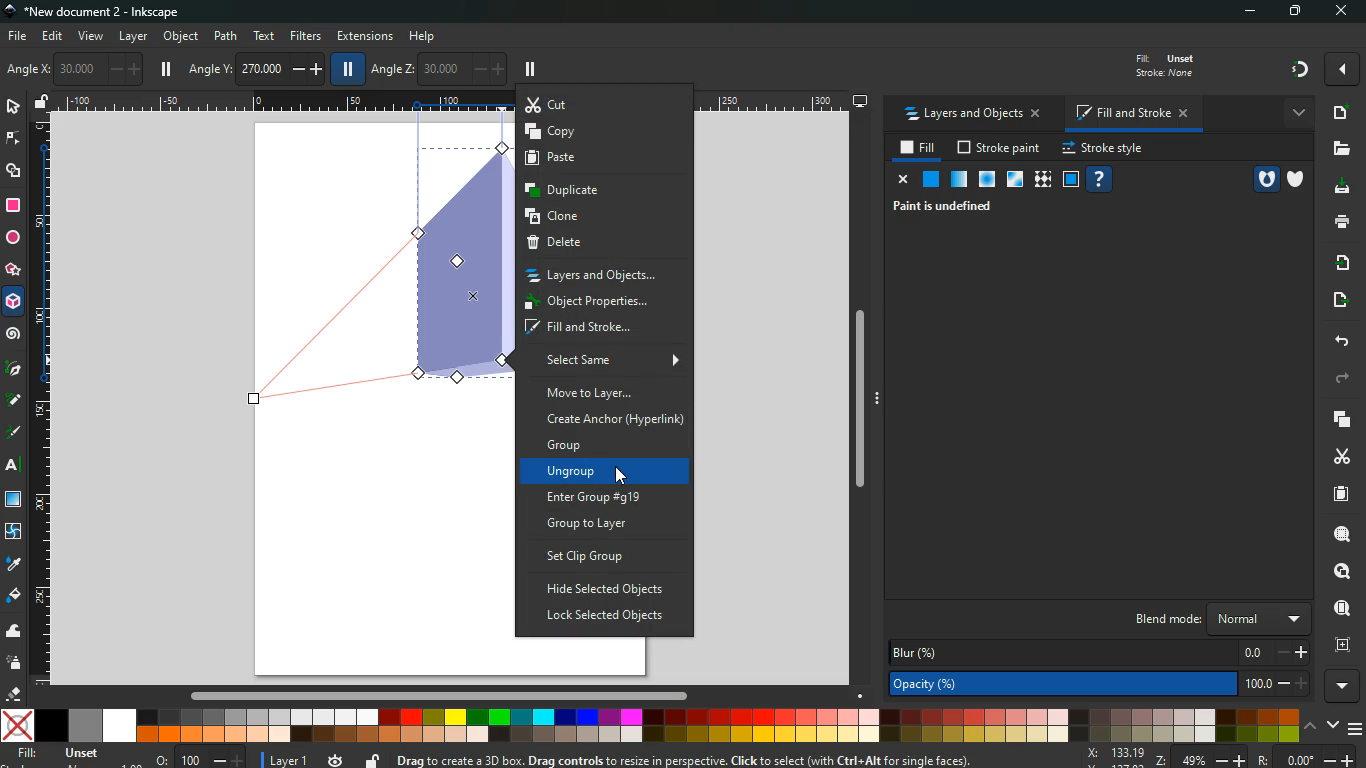 This screenshot has width=1366, height=768. Describe the element at coordinates (1341, 380) in the screenshot. I see `forward` at that location.